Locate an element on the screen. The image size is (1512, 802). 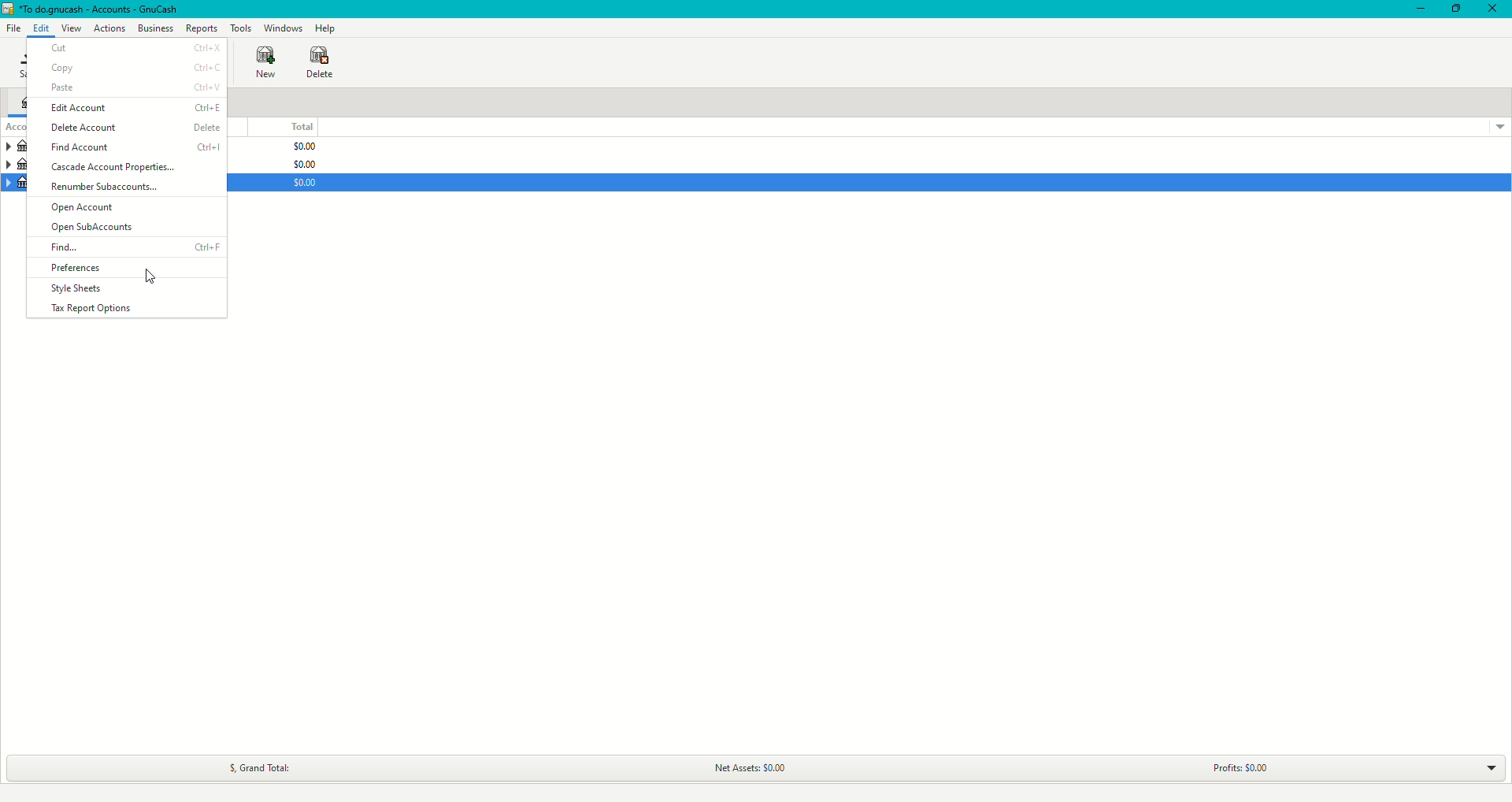
View is located at coordinates (71, 28).